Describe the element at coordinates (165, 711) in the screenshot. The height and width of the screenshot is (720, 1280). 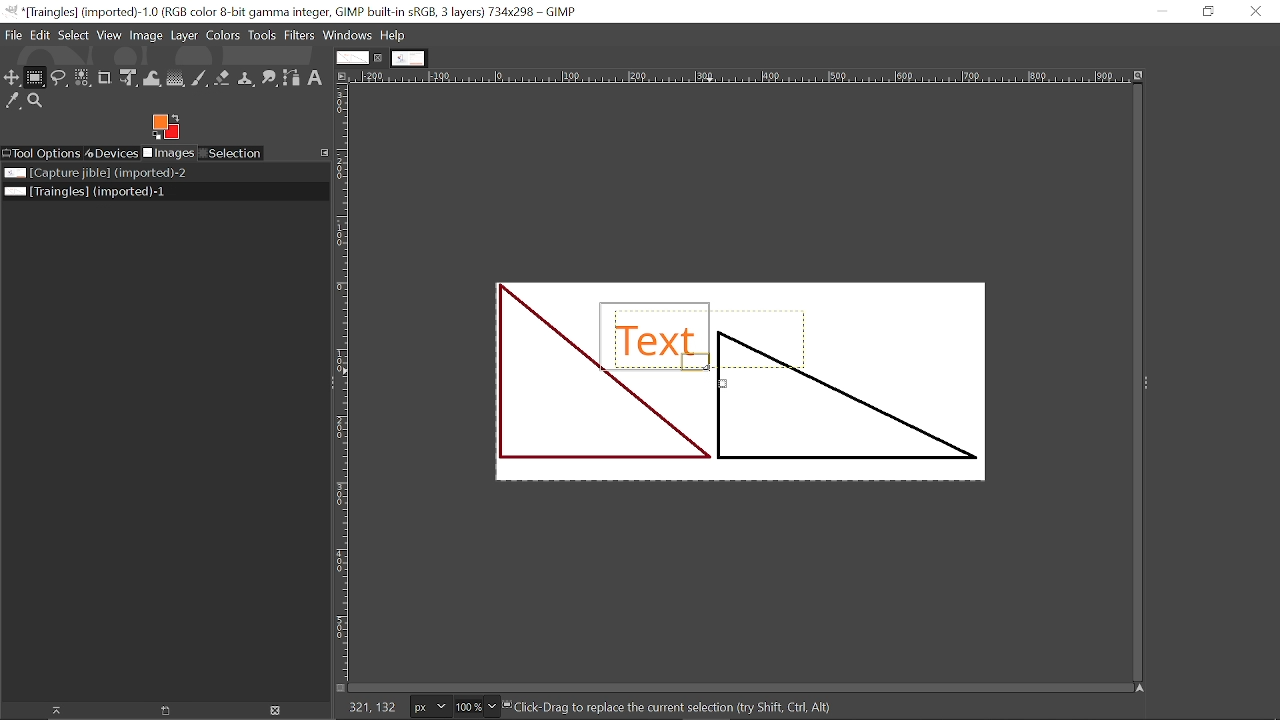
I see `Open new display for this image` at that location.